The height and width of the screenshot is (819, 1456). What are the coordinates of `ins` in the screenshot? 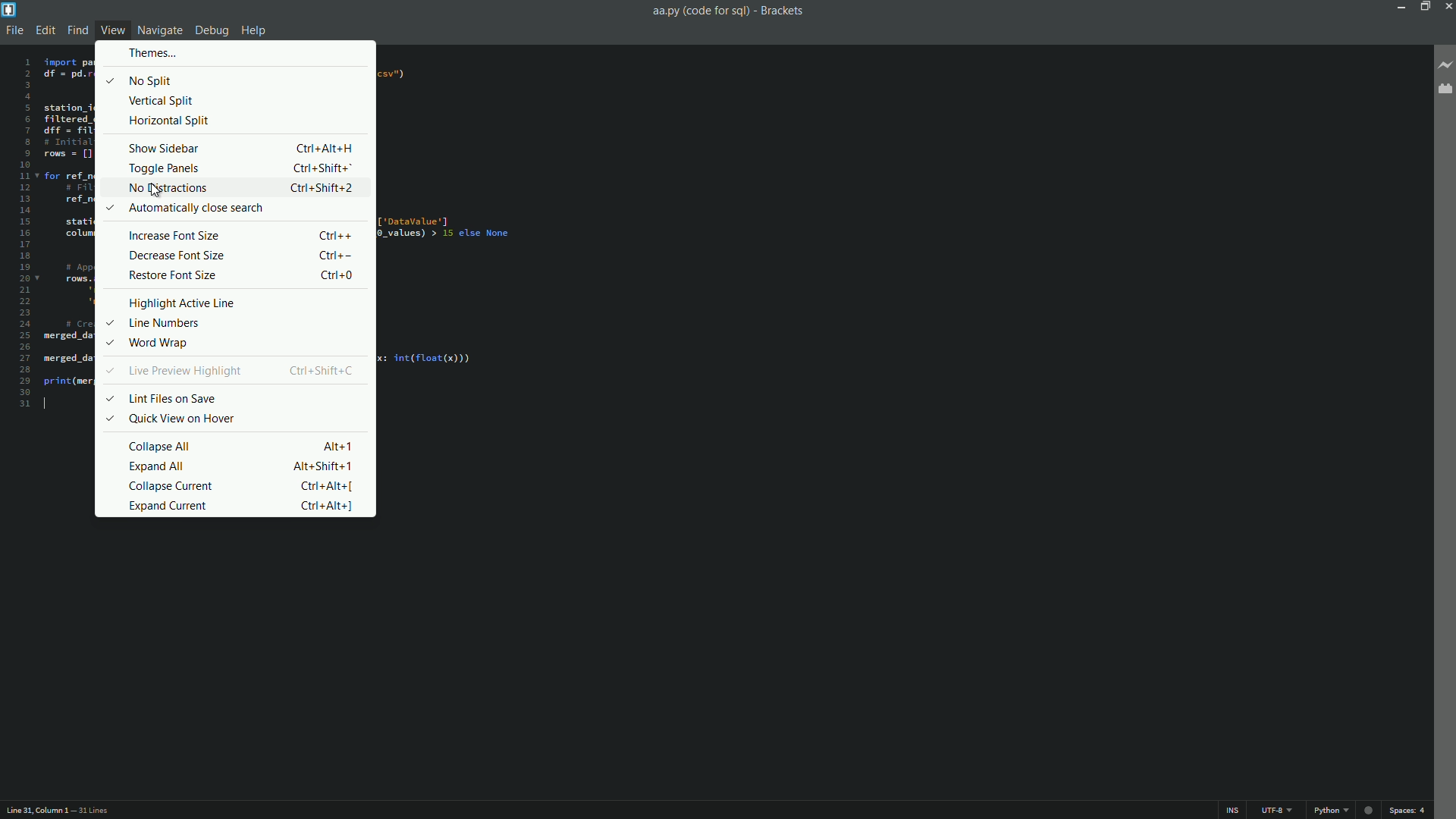 It's located at (1233, 810).